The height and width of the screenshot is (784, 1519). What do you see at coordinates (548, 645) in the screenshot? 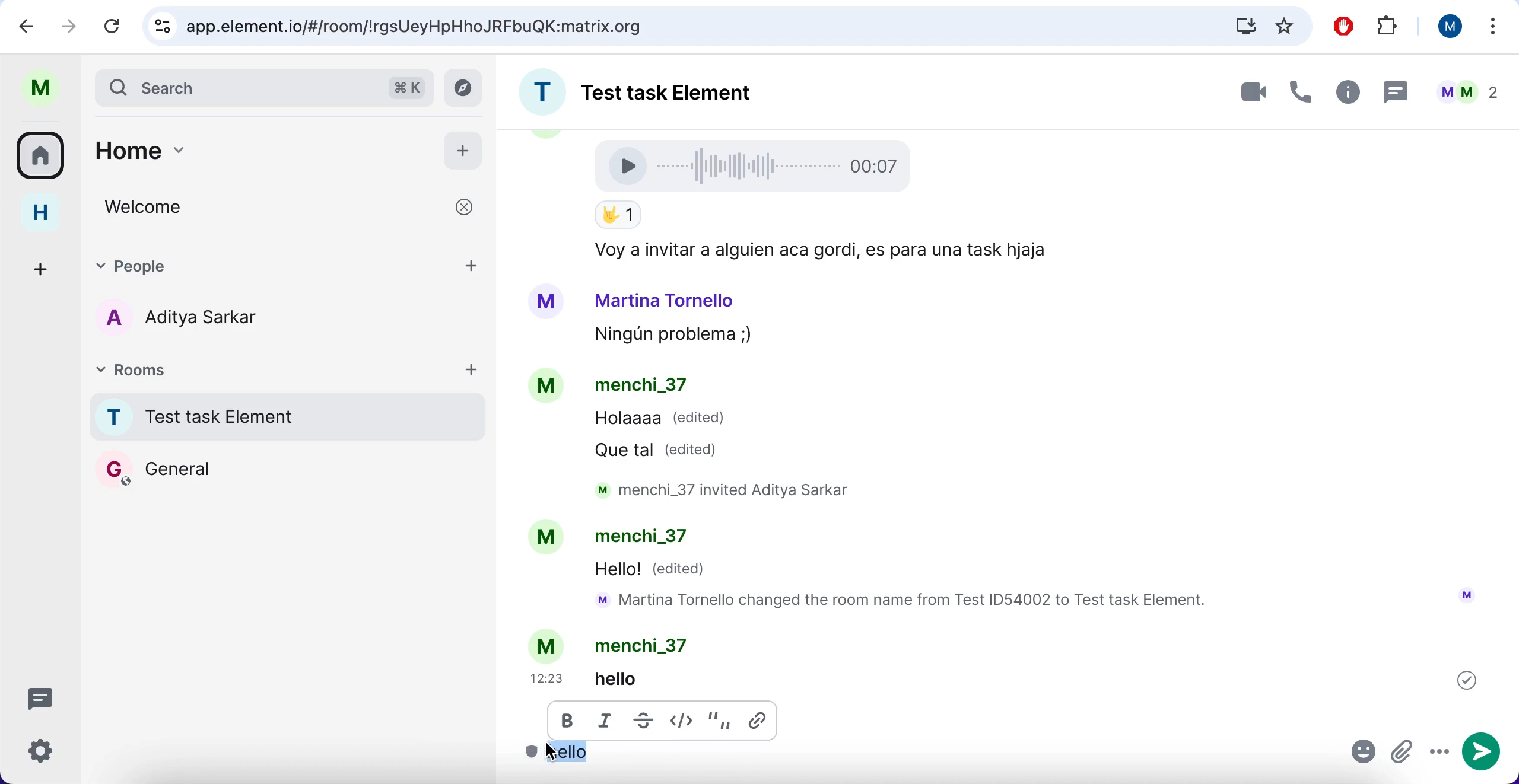
I see `Avatar` at bounding box center [548, 645].